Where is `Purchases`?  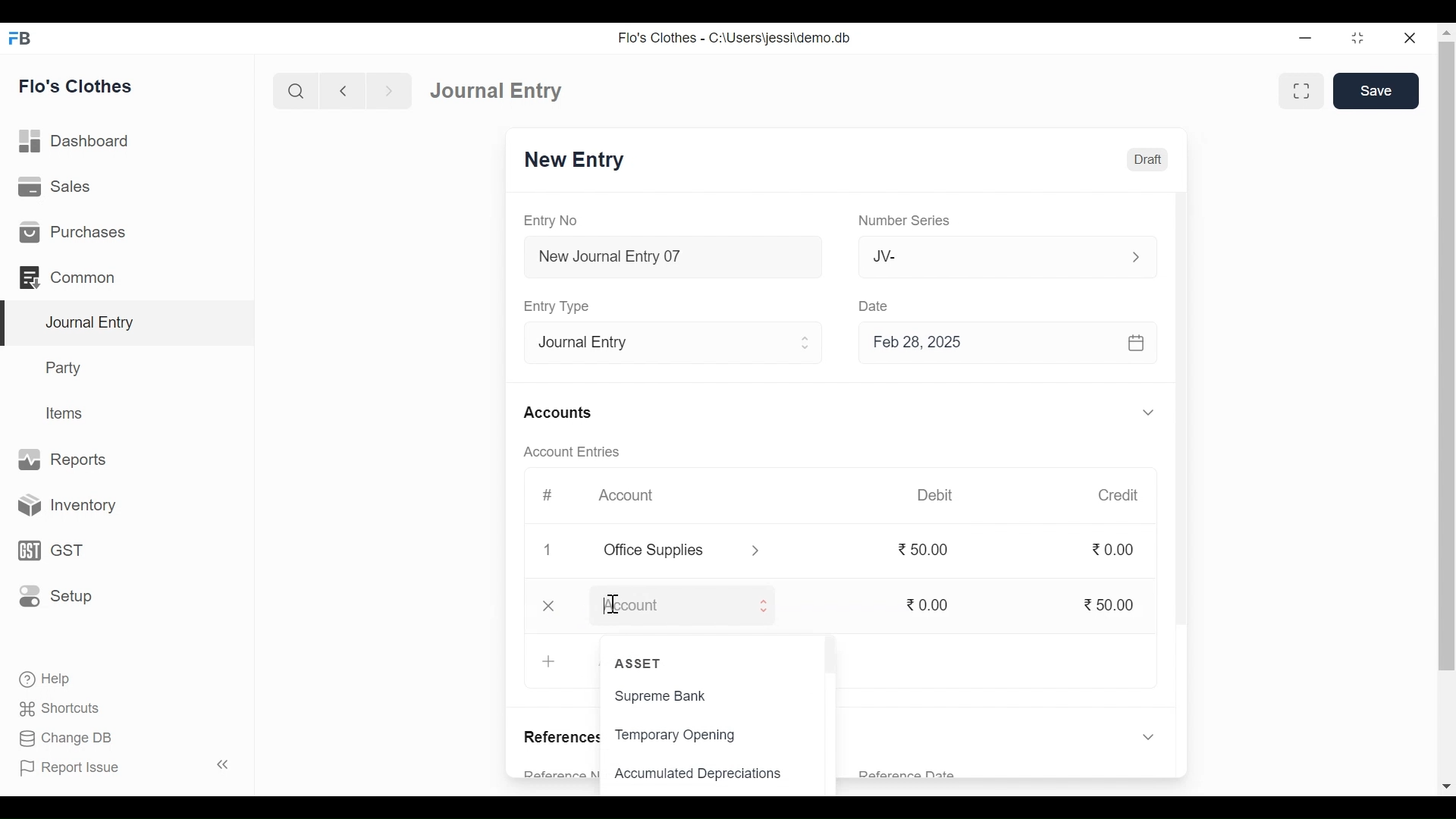
Purchases is located at coordinates (73, 231).